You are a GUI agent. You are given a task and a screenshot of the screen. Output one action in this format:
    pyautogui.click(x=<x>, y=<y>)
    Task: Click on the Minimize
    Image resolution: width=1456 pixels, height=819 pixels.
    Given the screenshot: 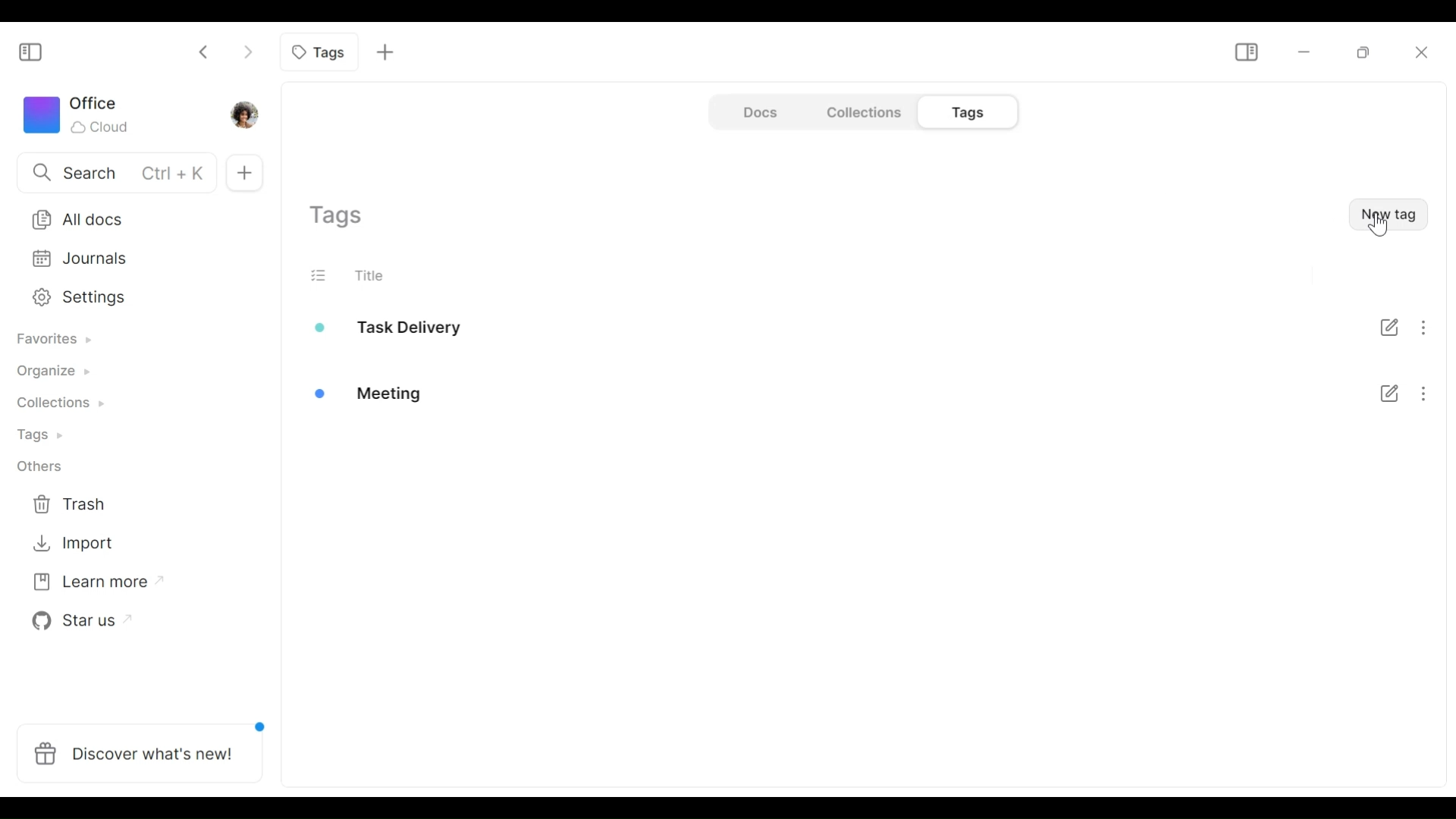 What is the action you would take?
    pyautogui.click(x=1304, y=53)
    